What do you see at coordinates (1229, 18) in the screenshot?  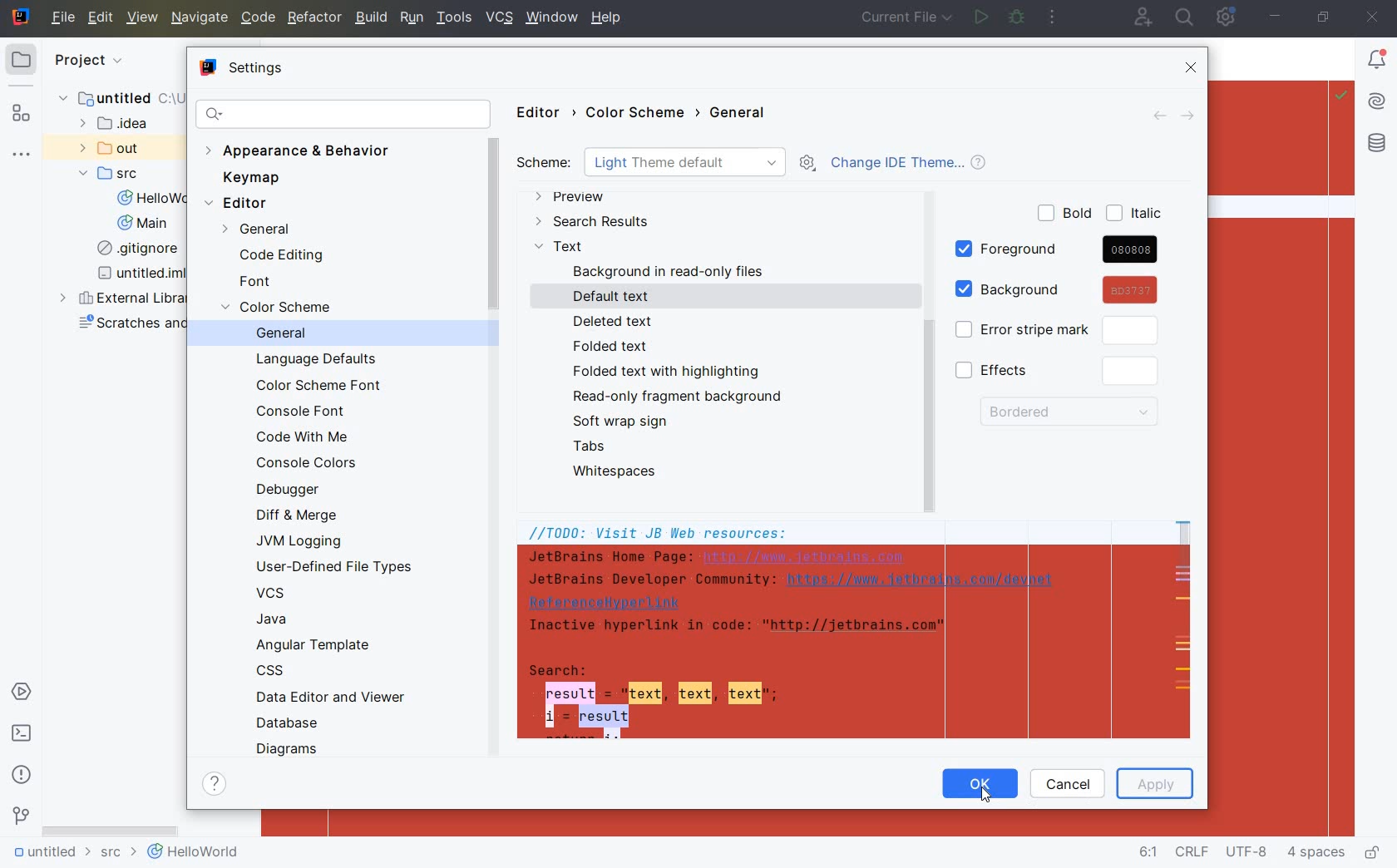 I see `IDE and Project Settings` at bounding box center [1229, 18].